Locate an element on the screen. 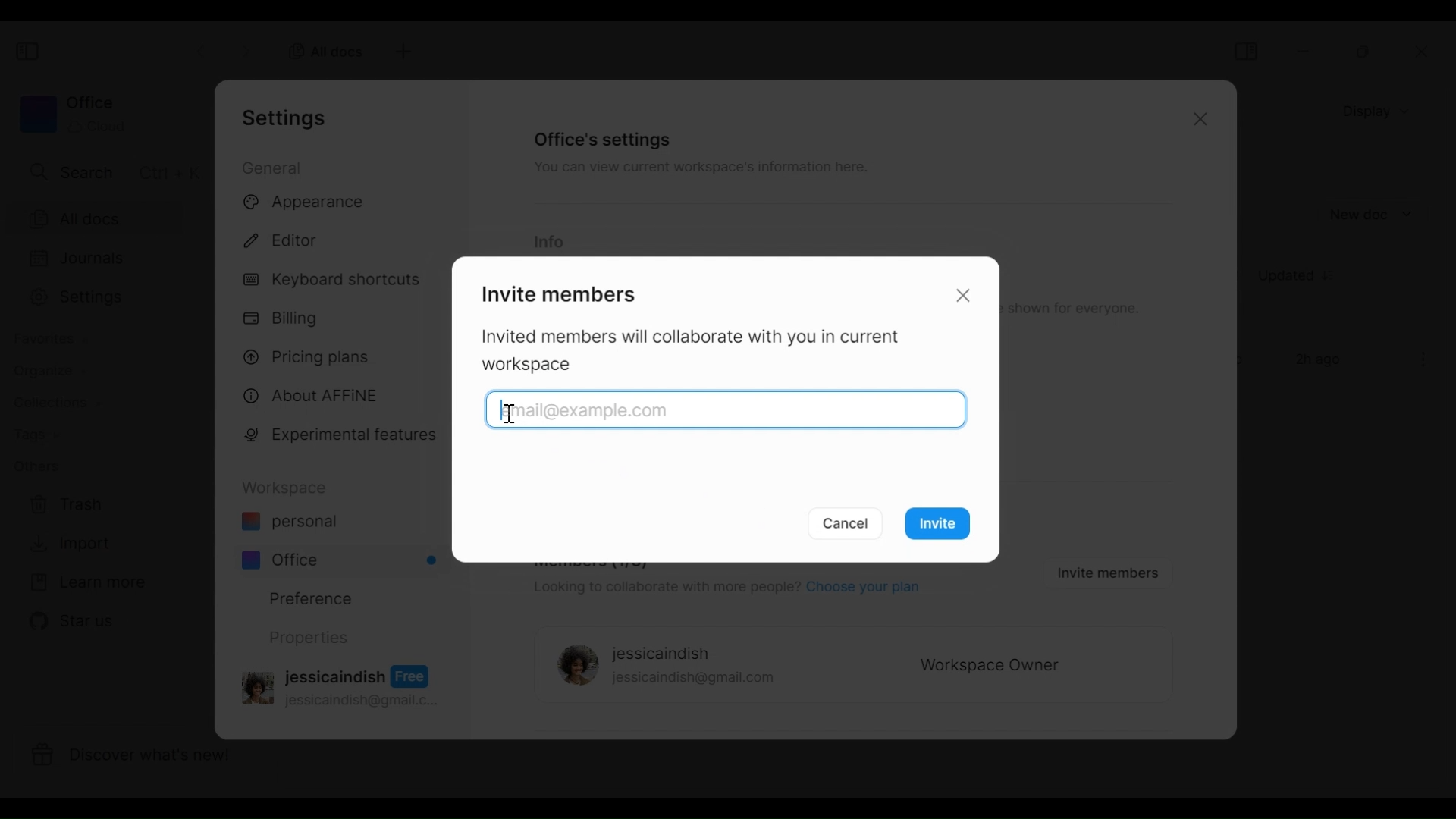 The height and width of the screenshot is (819, 1456). invite is located at coordinates (943, 526).